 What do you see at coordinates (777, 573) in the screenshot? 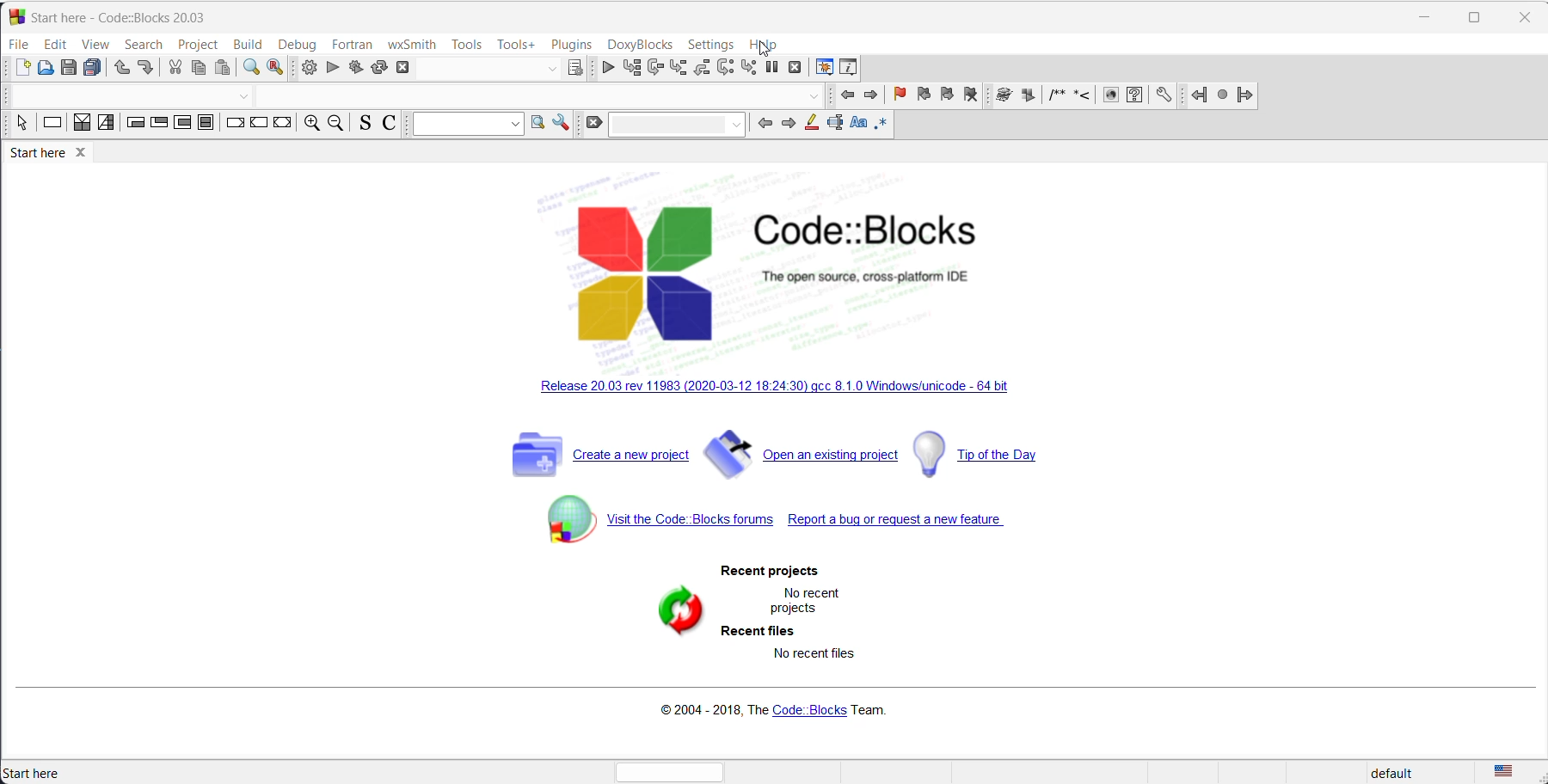
I see `recent projects` at bounding box center [777, 573].